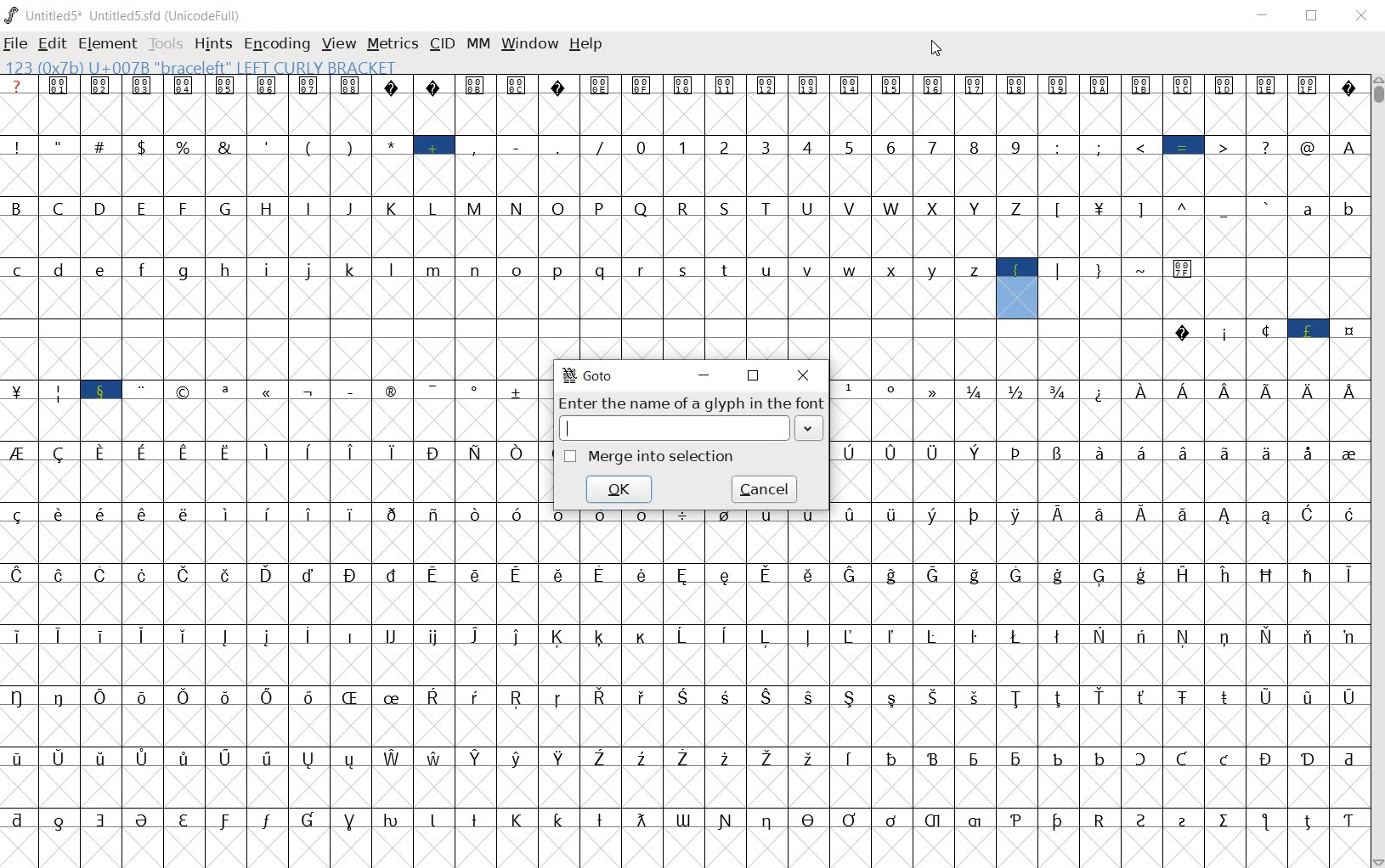  I want to click on FILE, so click(16, 45).